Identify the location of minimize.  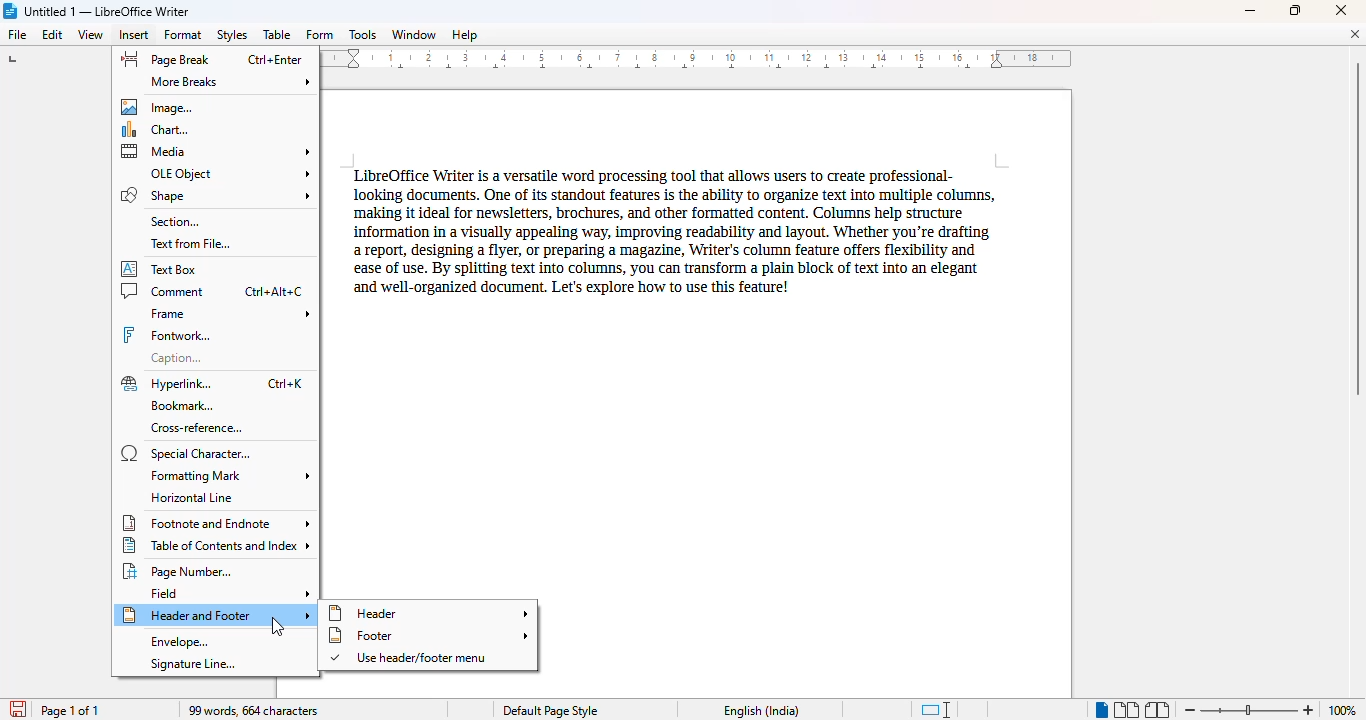
(1251, 11).